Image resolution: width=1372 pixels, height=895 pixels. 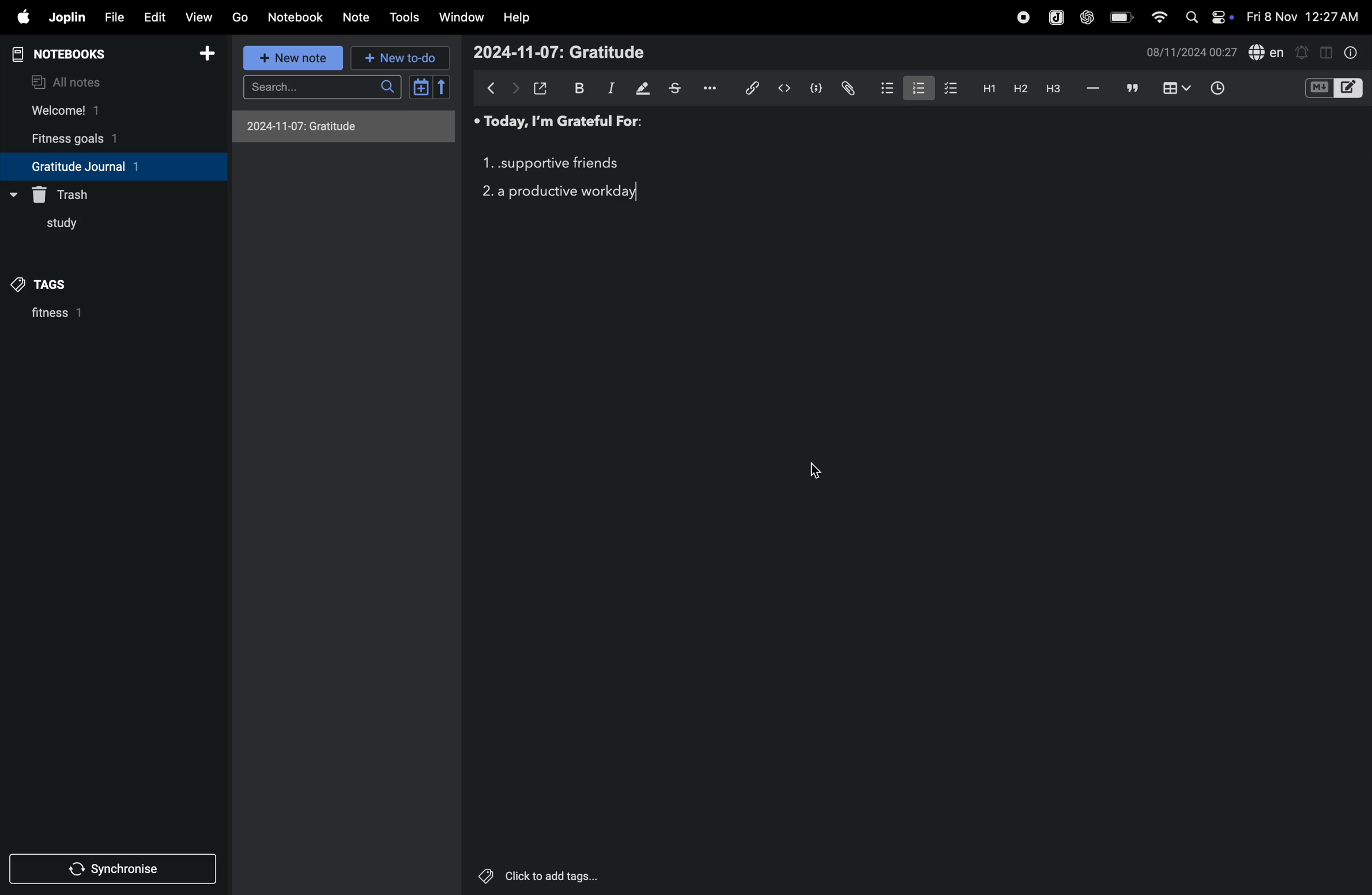 What do you see at coordinates (108, 871) in the screenshot?
I see `synchronise` at bounding box center [108, 871].